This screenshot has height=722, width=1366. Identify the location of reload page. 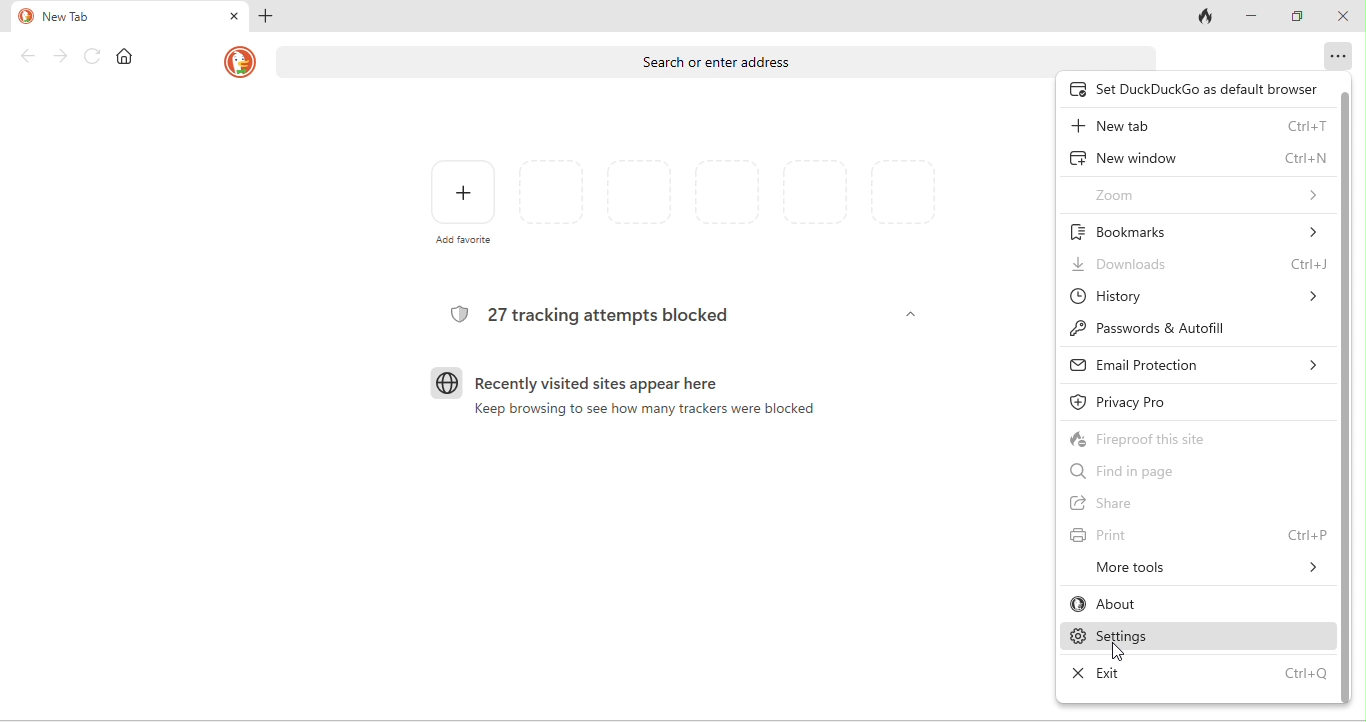
(93, 56).